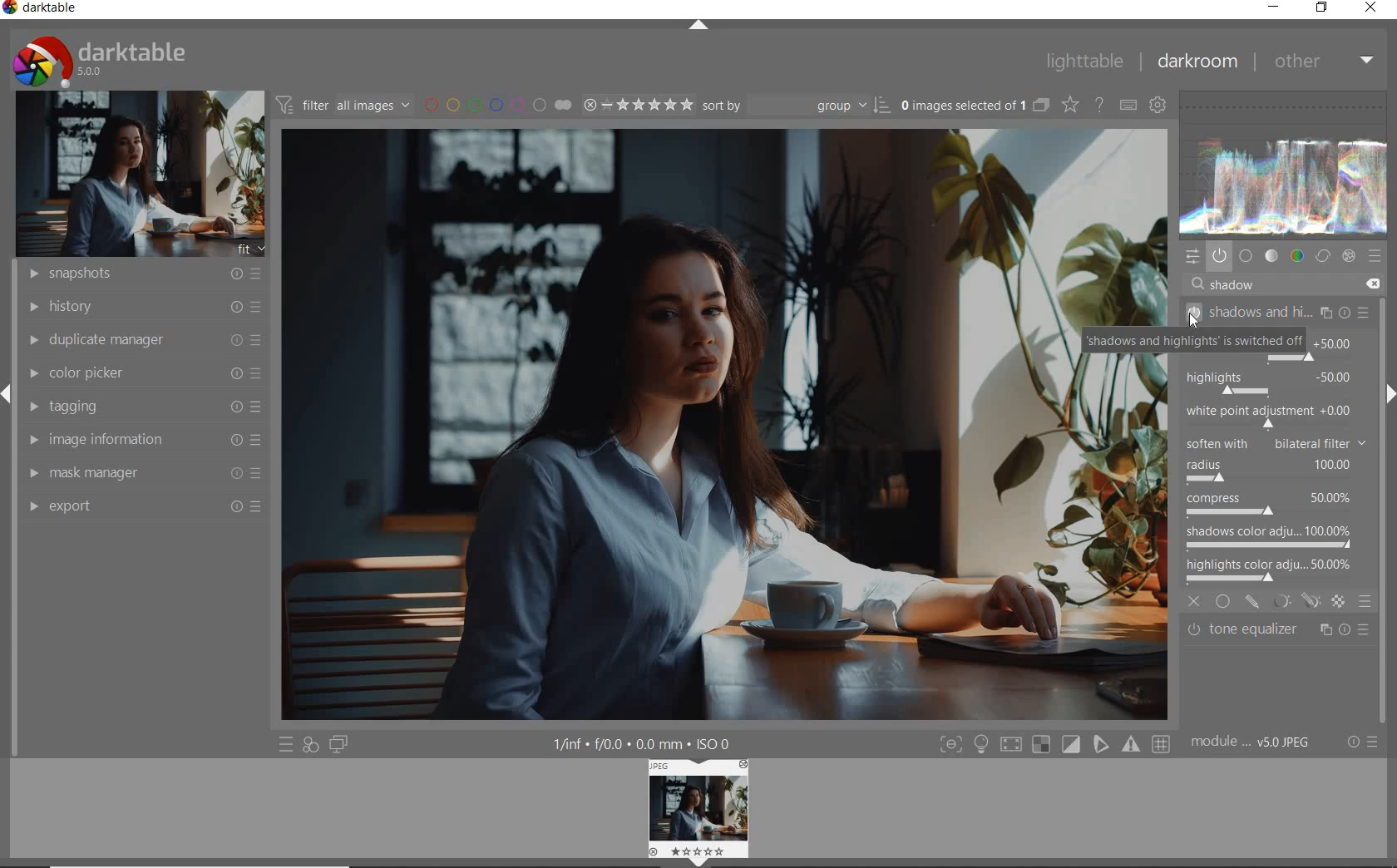  What do you see at coordinates (134, 175) in the screenshot?
I see `image` at bounding box center [134, 175].